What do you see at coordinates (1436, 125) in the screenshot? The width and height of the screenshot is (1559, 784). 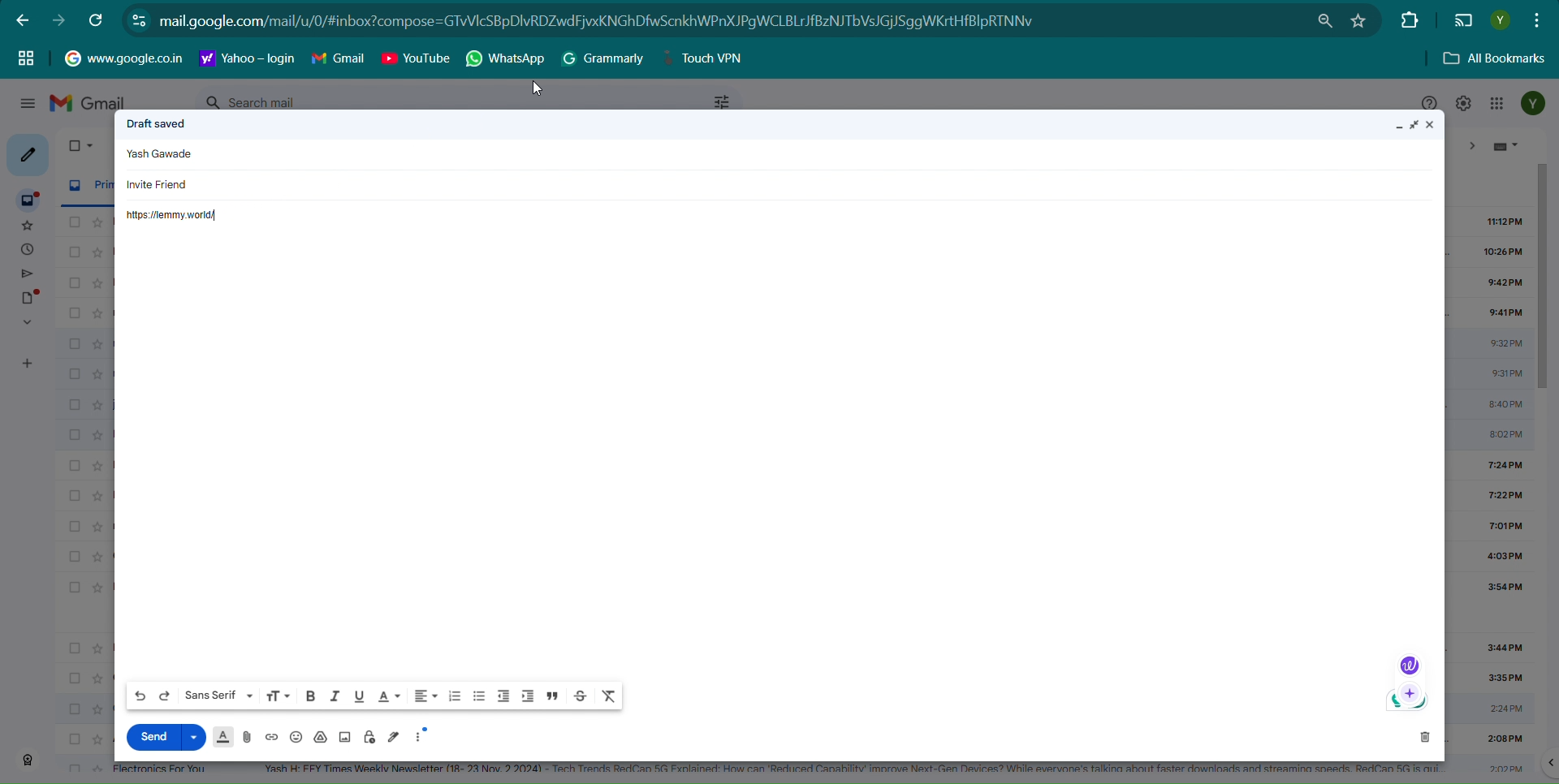 I see `Close` at bounding box center [1436, 125].